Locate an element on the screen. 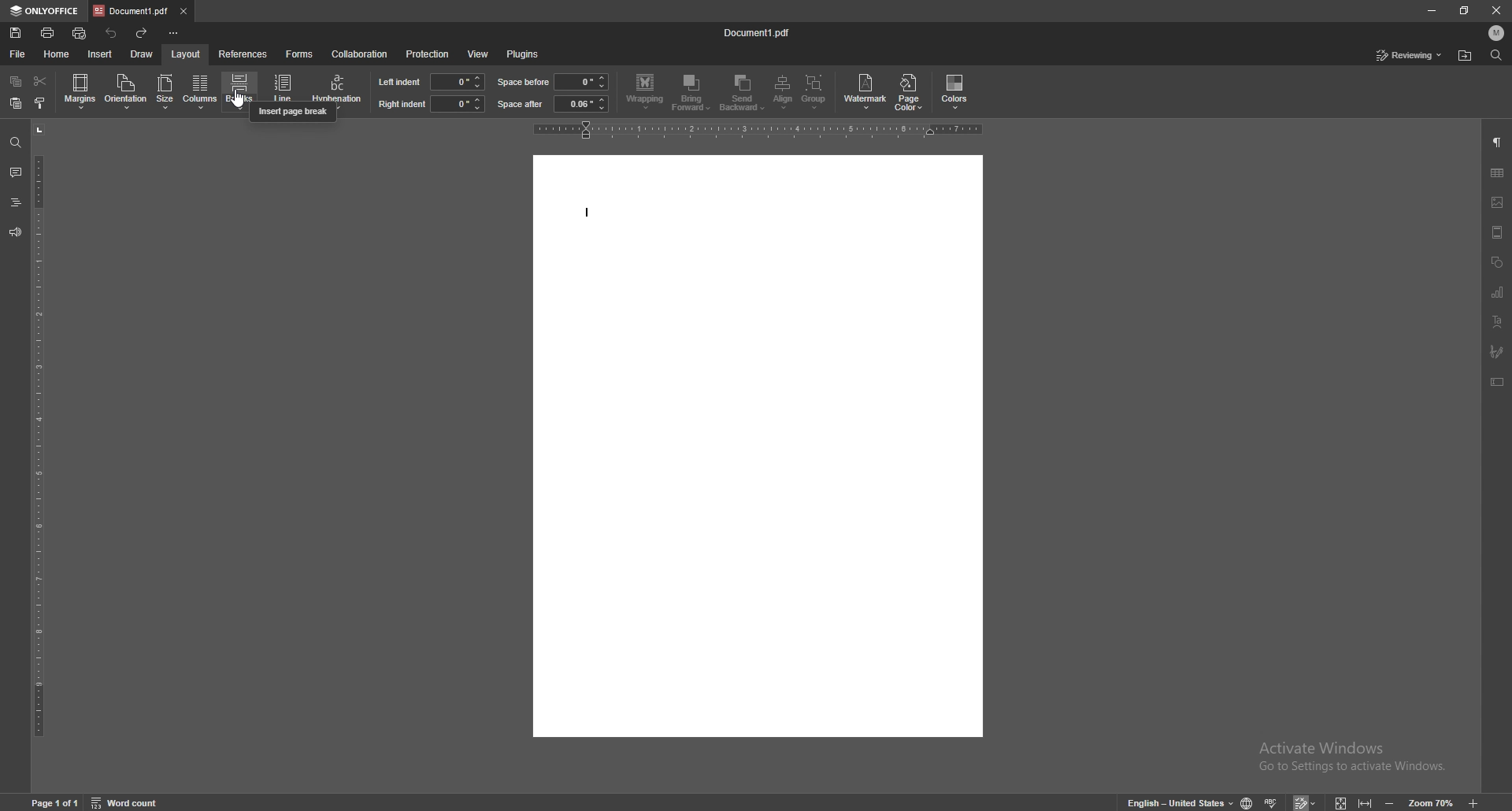 The height and width of the screenshot is (811, 1512). space after is located at coordinates (581, 104).